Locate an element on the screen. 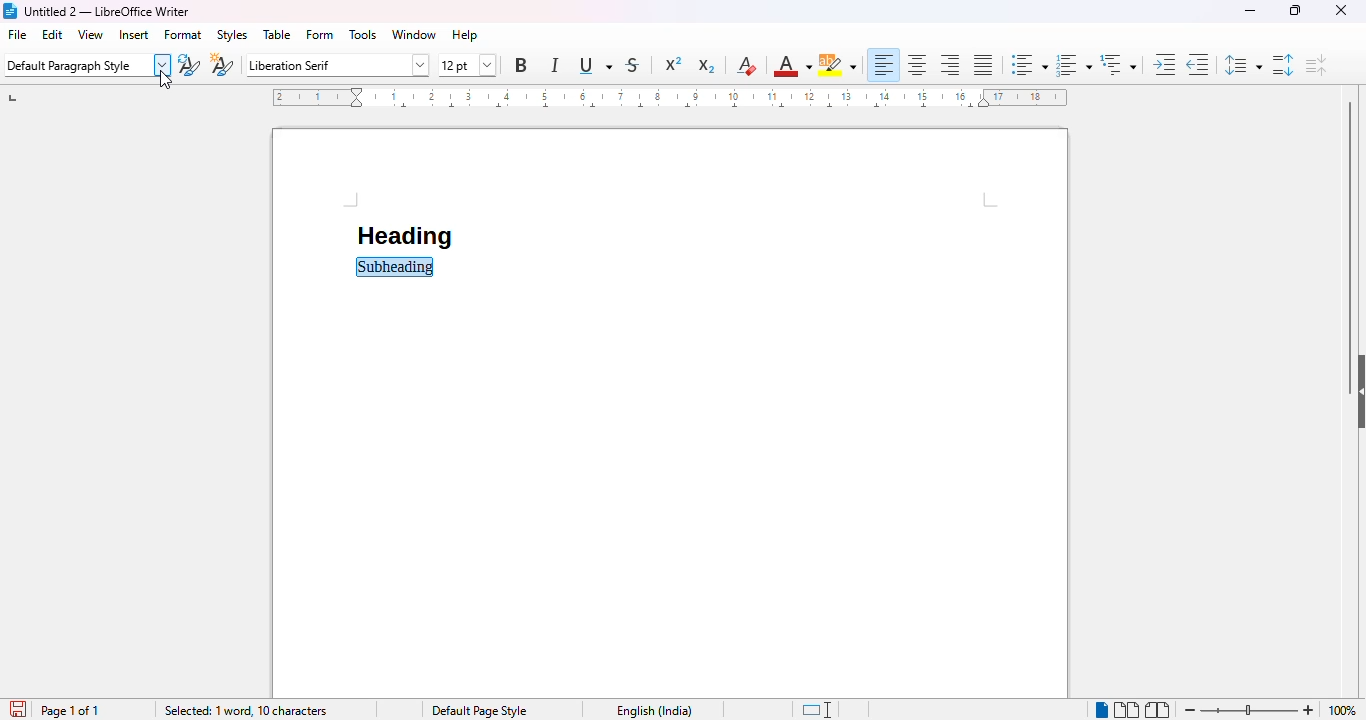 The height and width of the screenshot is (720, 1366). font color is located at coordinates (791, 67).